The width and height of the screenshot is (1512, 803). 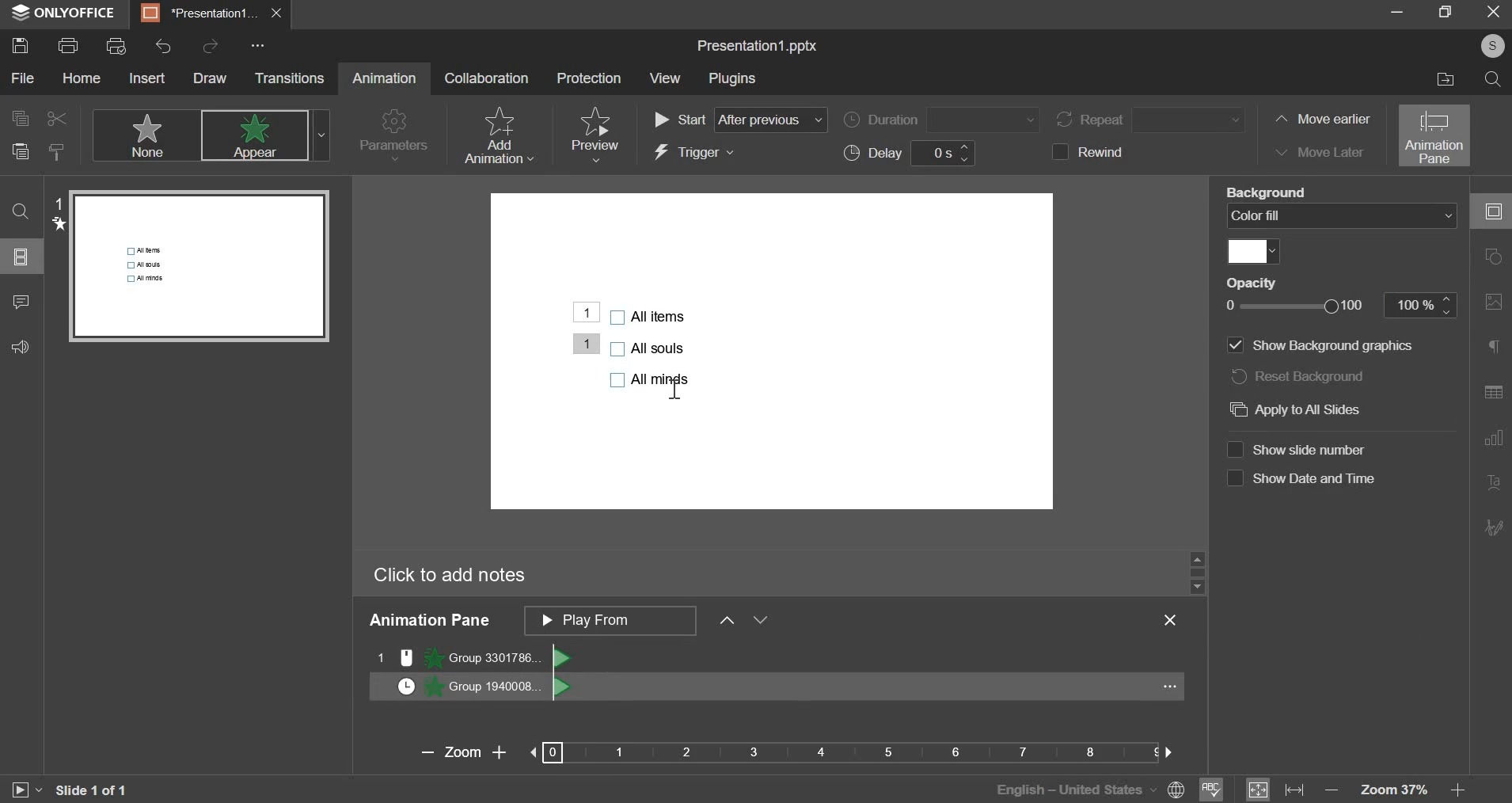 What do you see at coordinates (1394, 16) in the screenshot?
I see `minimize` at bounding box center [1394, 16].